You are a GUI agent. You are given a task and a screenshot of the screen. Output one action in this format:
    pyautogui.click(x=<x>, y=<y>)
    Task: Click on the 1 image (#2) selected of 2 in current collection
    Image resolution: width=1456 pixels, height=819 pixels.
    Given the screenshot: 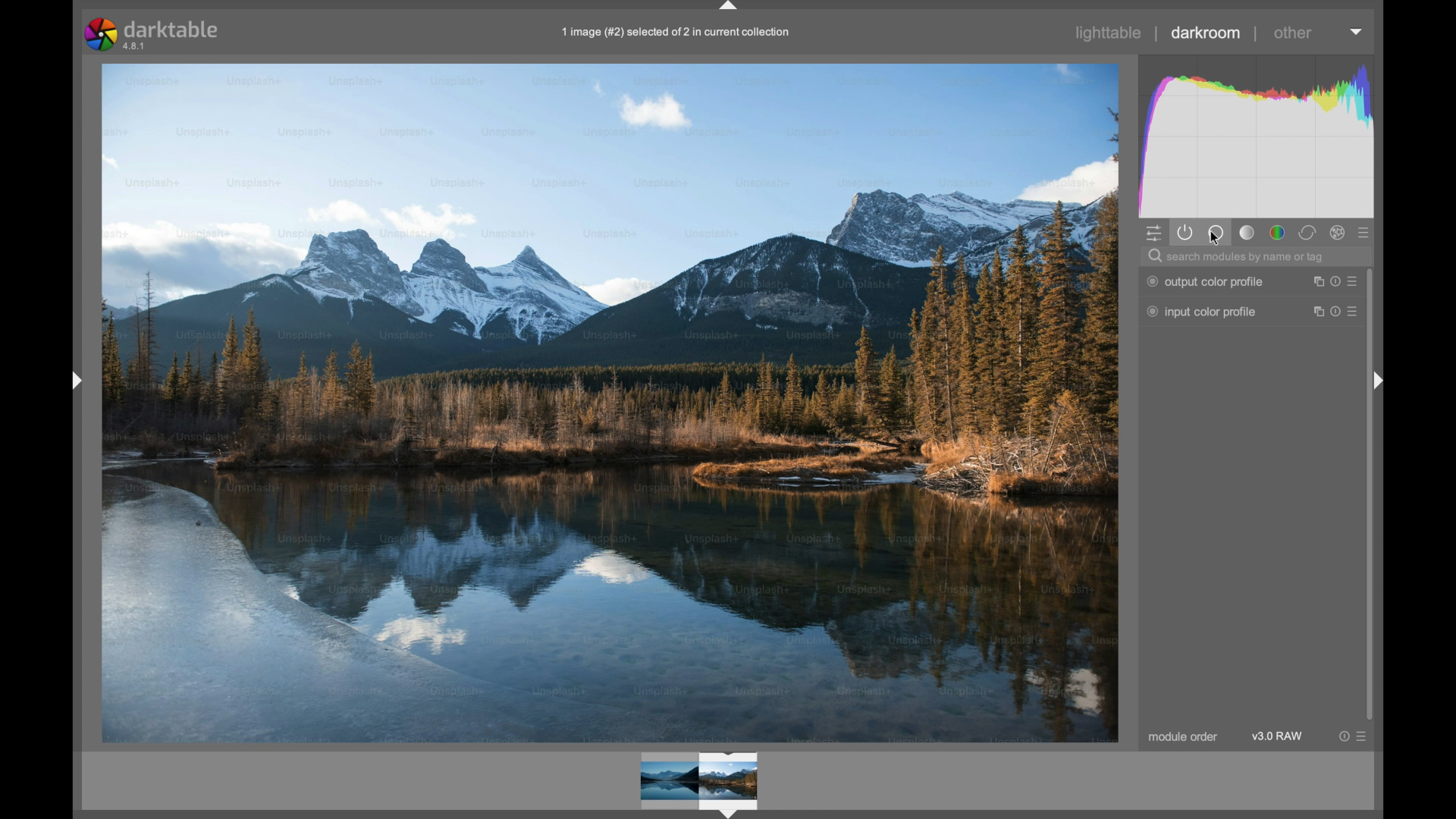 What is the action you would take?
    pyautogui.click(x=682, y=33)
    